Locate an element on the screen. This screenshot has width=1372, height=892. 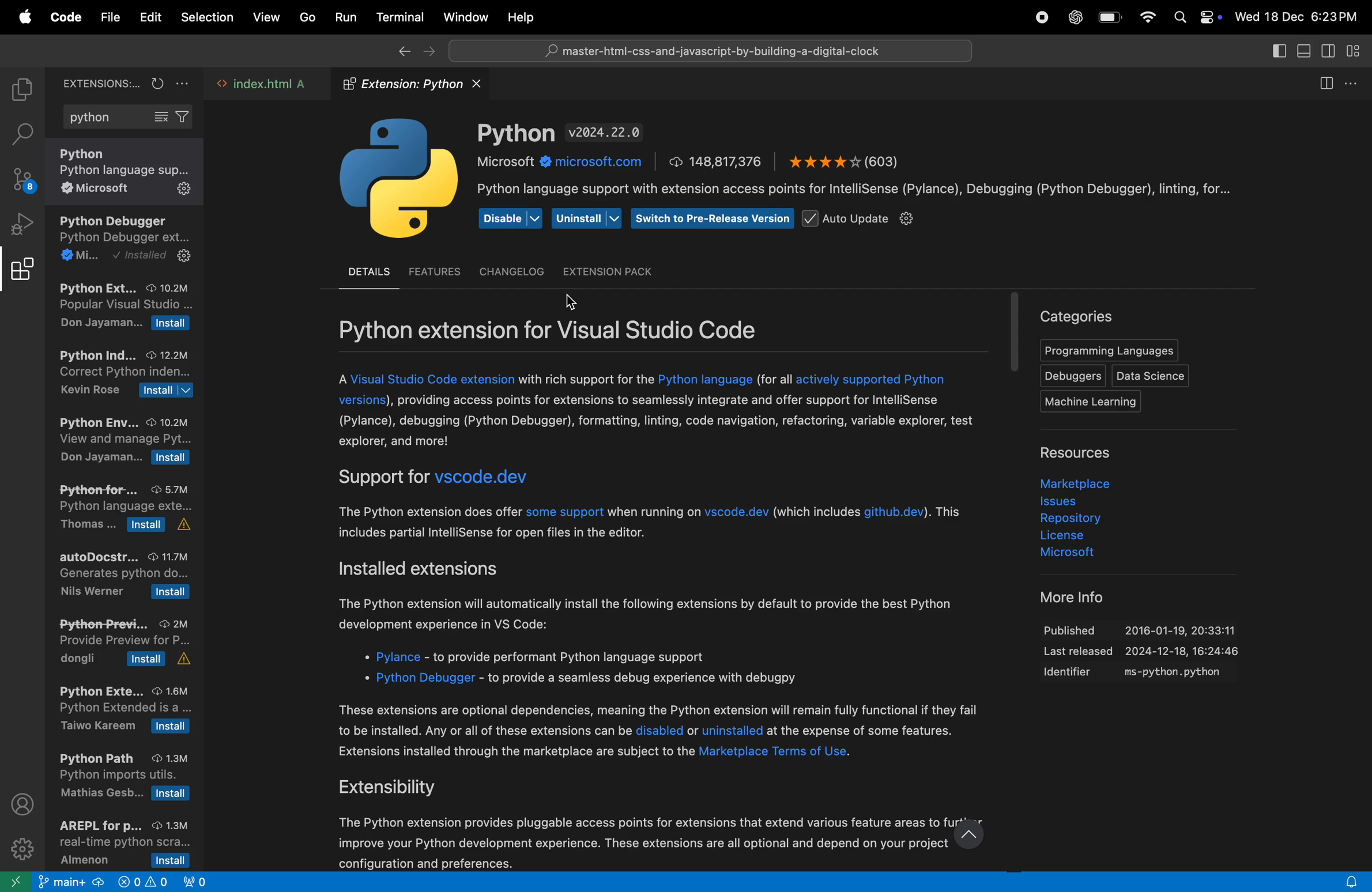
battery is located at coordinates (1110, 19).